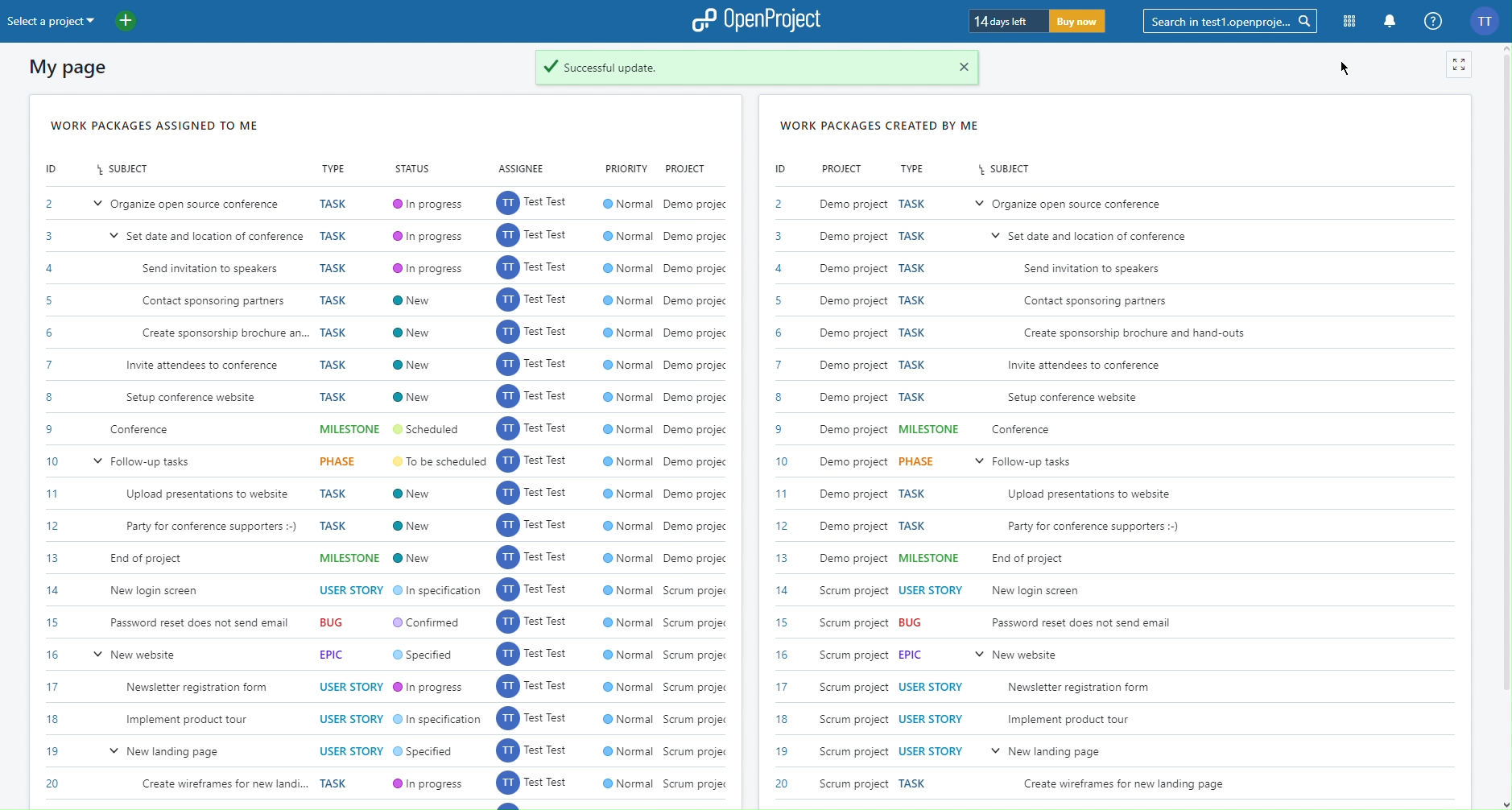 The image size is (1512, 810). What do you see at coordinates (415, 523) in the screenshot?
I see `New` at bounding box center [415, 523].